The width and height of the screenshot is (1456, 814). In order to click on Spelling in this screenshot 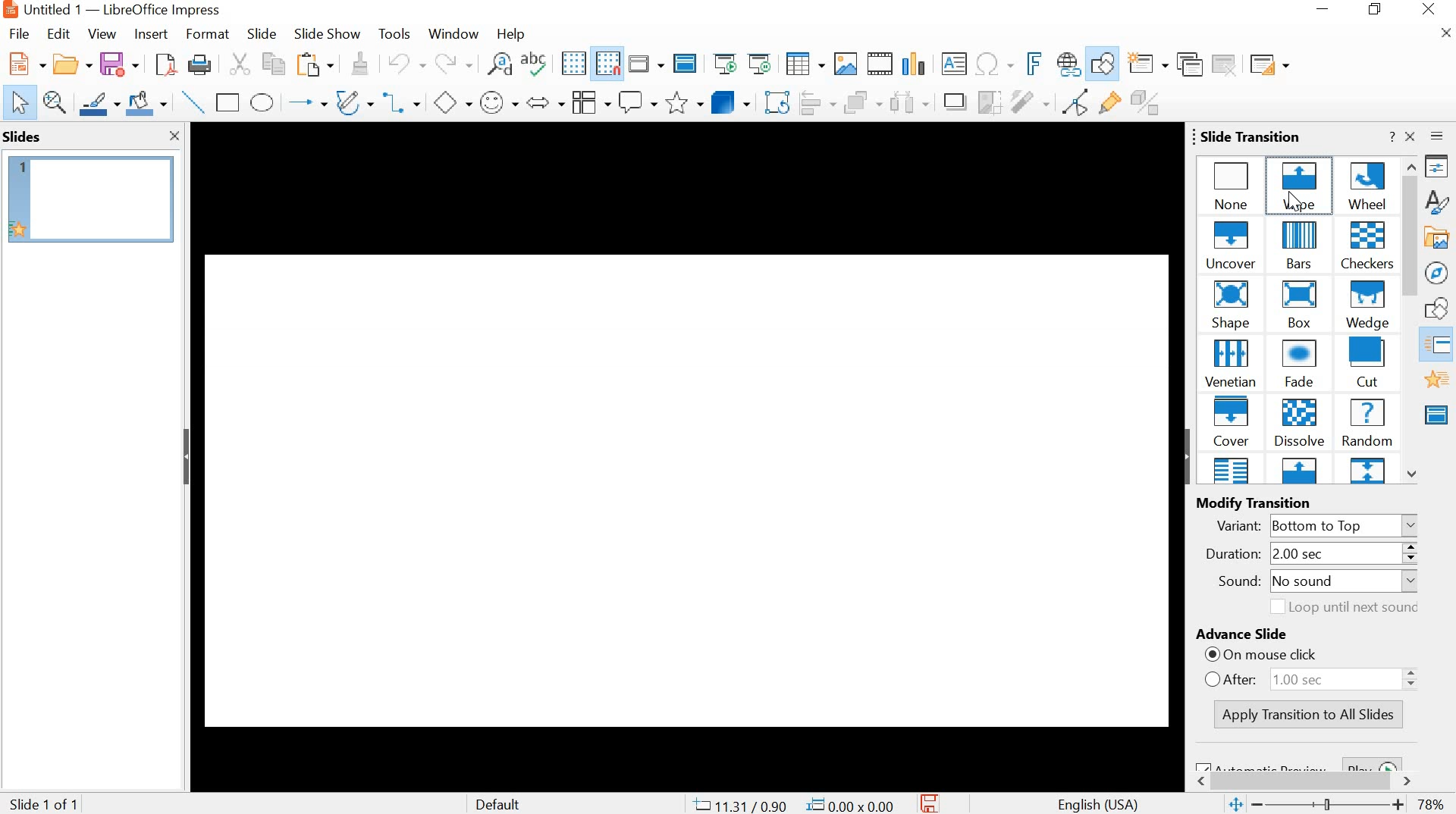, I will do `click(536, 63)`.